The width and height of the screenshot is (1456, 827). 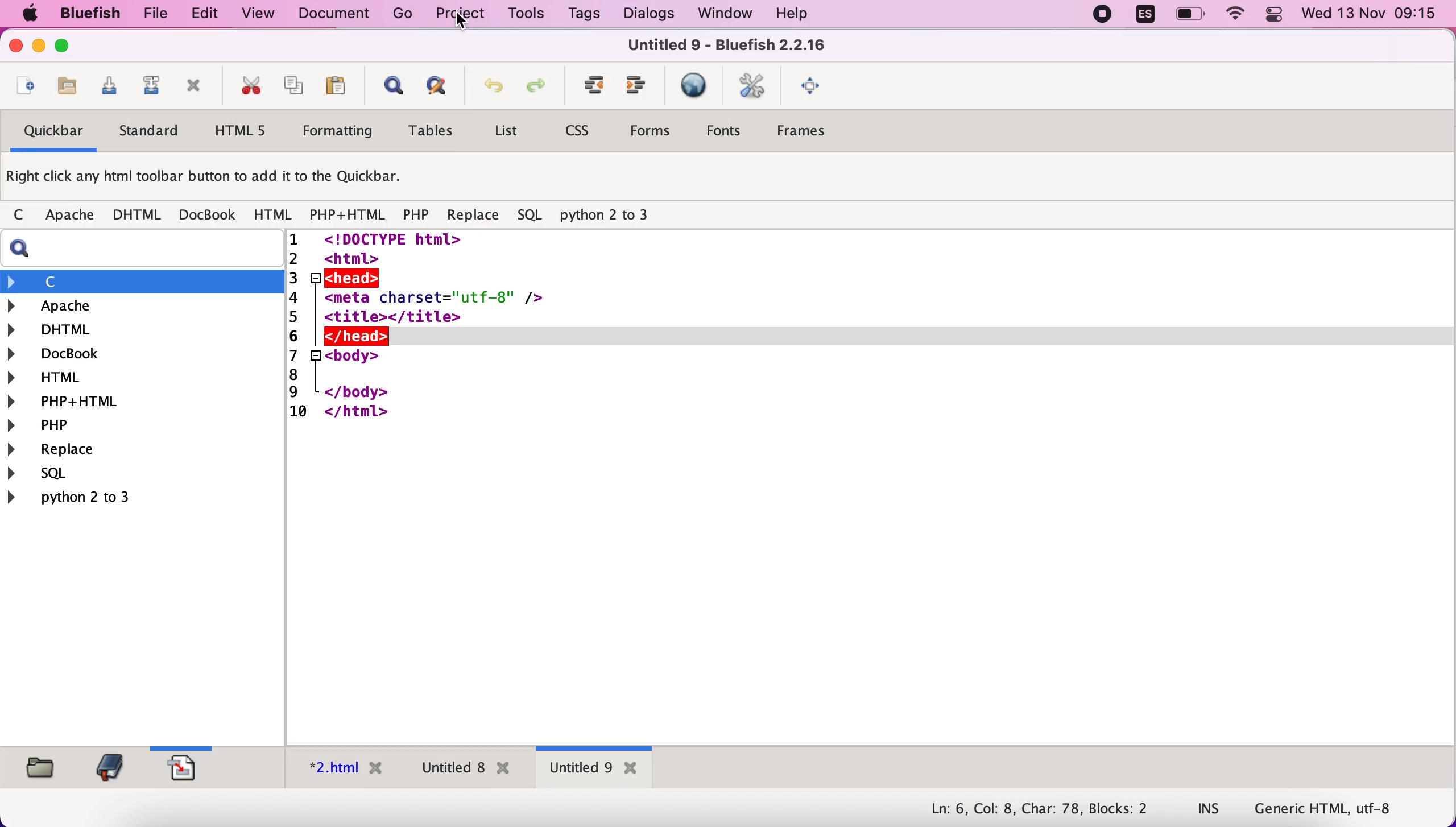 I want to click on python 2 to 3, so click(x=615, y=216).